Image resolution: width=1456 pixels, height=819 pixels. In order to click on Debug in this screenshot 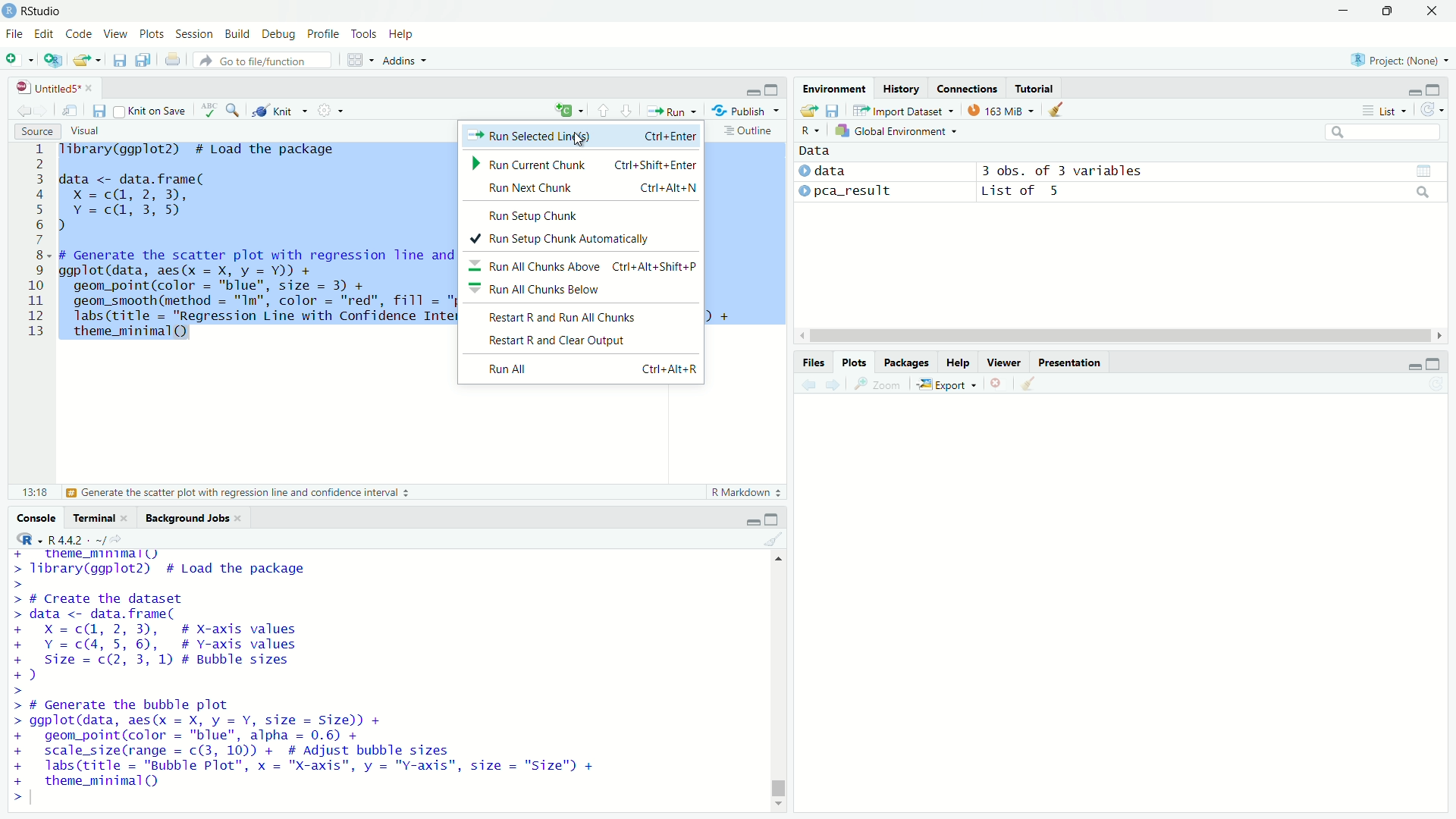, I will do `click(278, 34)`.